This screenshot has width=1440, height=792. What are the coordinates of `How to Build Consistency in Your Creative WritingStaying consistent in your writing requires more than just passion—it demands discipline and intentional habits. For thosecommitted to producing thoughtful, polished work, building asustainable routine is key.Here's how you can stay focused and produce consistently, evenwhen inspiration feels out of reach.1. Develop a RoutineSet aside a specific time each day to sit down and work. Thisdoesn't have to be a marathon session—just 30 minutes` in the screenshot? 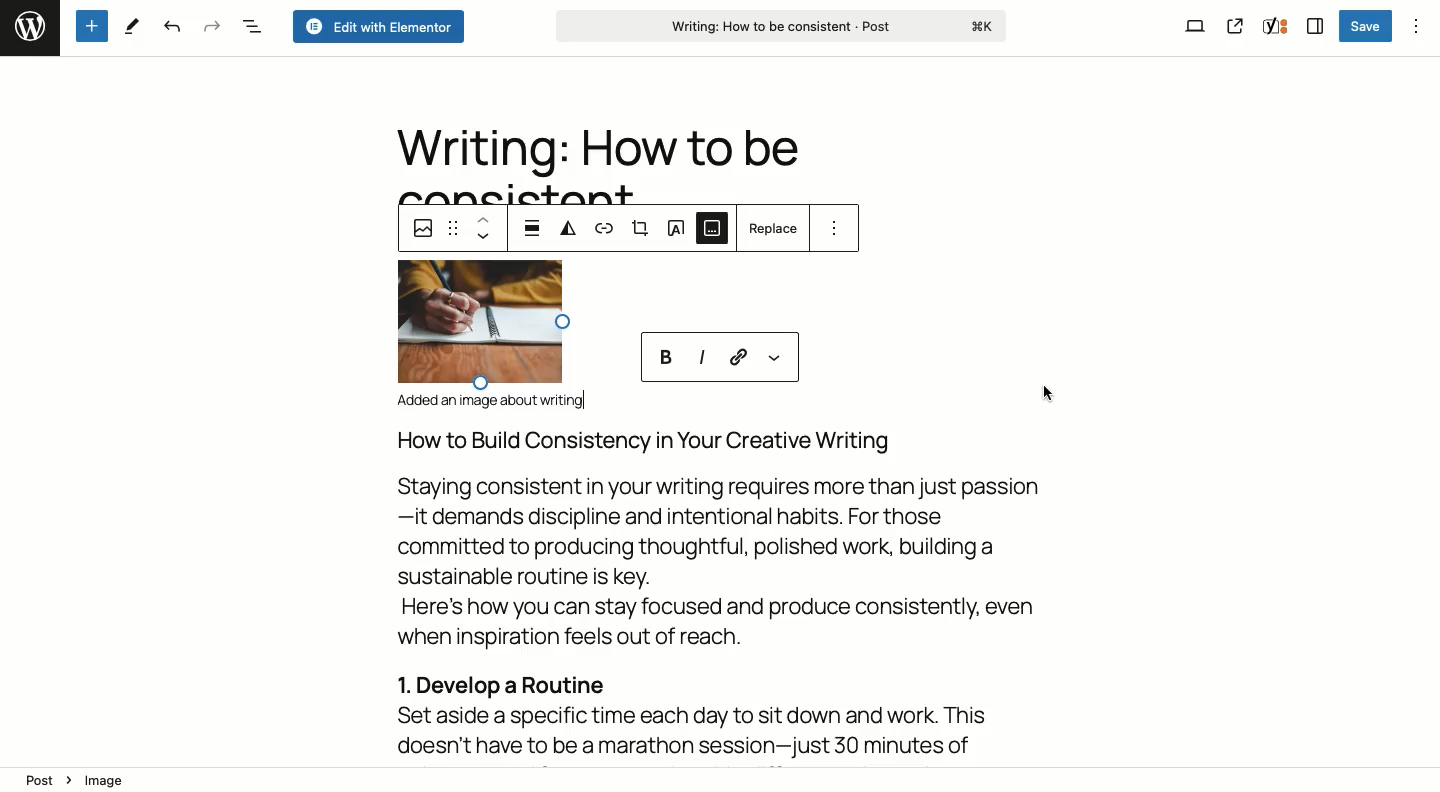 It's located at (726, 594).